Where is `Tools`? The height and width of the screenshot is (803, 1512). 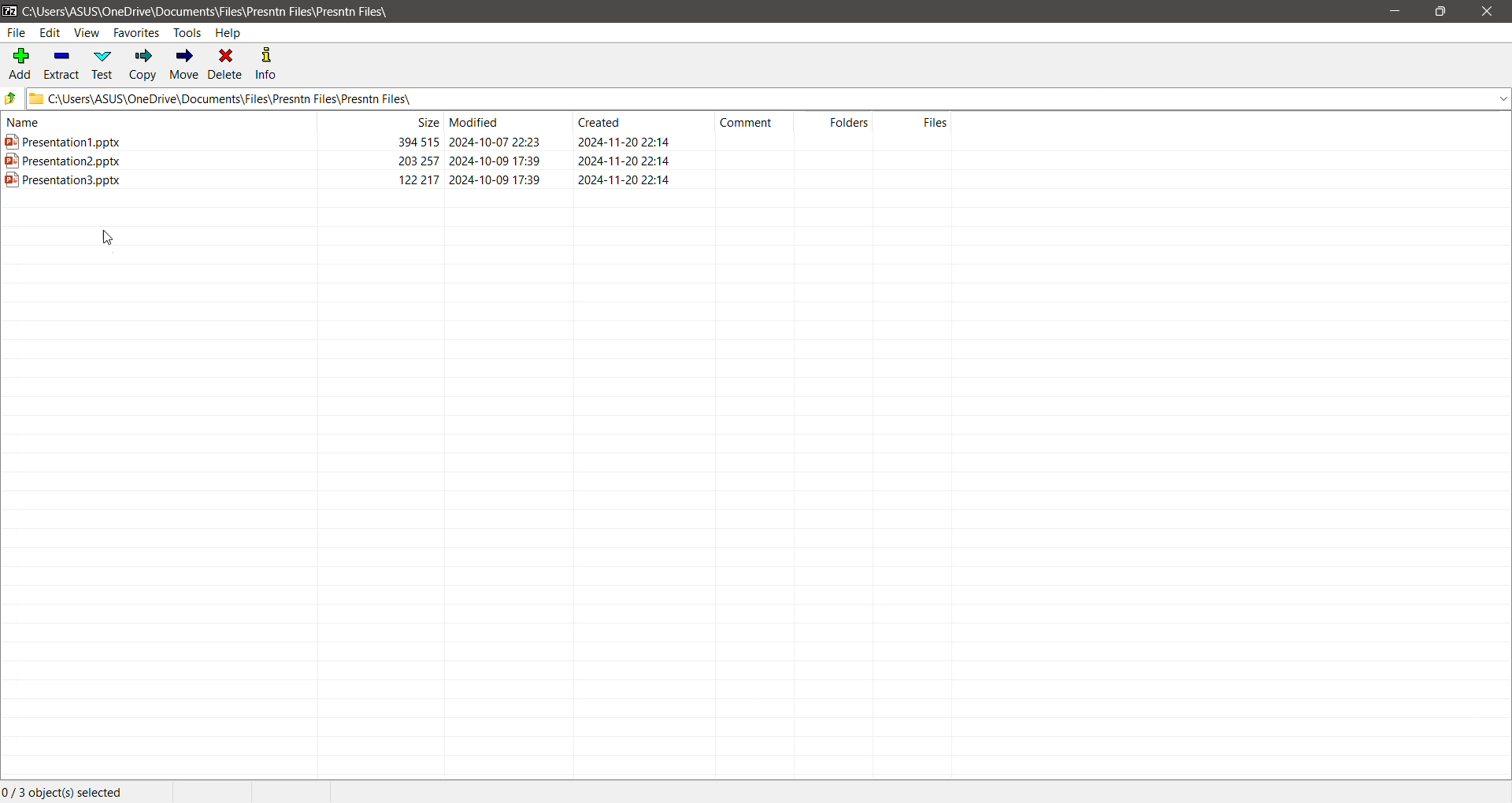 Tools is located at coordinates (187, 33).